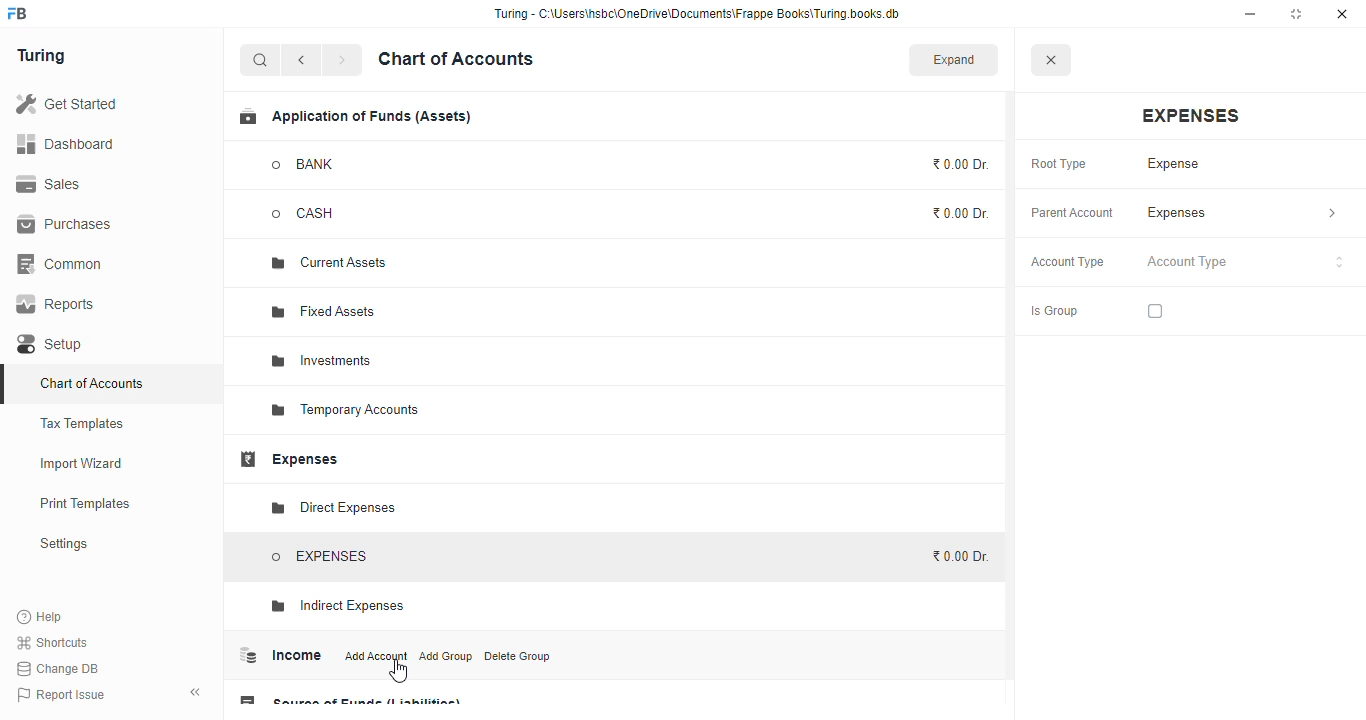 This screenshot has width=1366, height=720. What do you see at coordinates (398, 671) in the screenshot?
I see `cursor` at bounding box center [398, 671].